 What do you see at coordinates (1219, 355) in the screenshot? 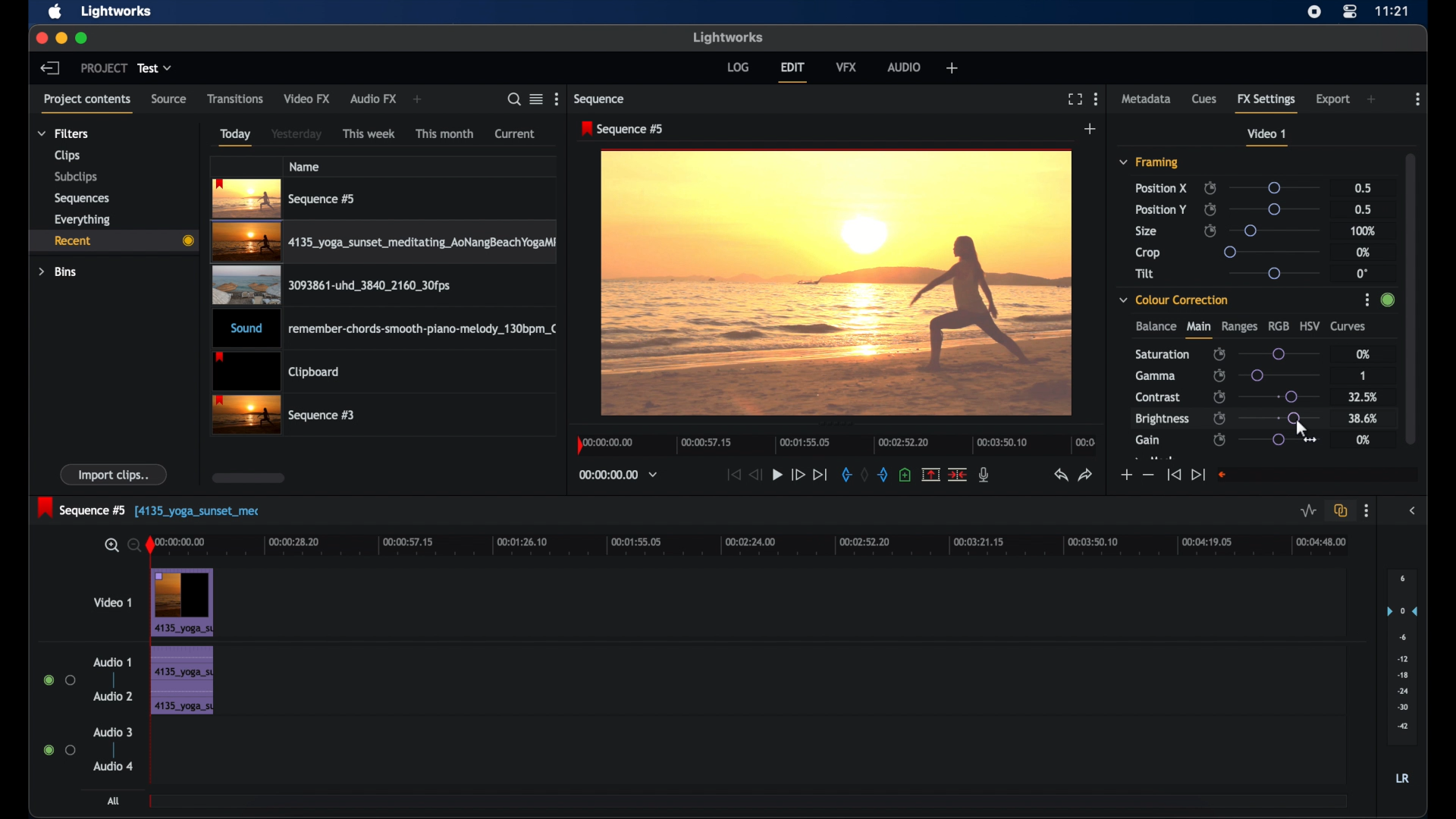
I see `enable/disable keyframes` at bounding box center [1219, 355].